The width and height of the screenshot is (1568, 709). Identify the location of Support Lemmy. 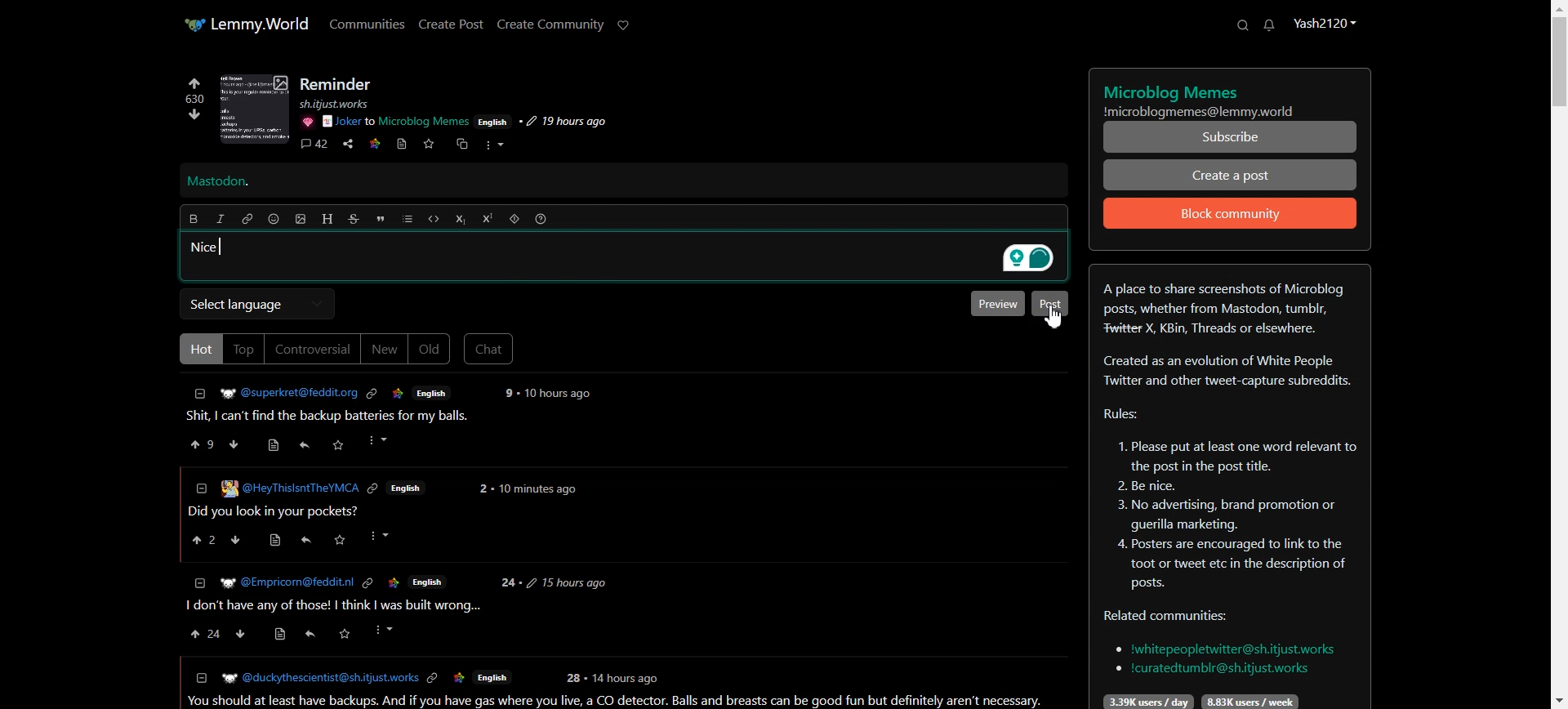
(624, 25).